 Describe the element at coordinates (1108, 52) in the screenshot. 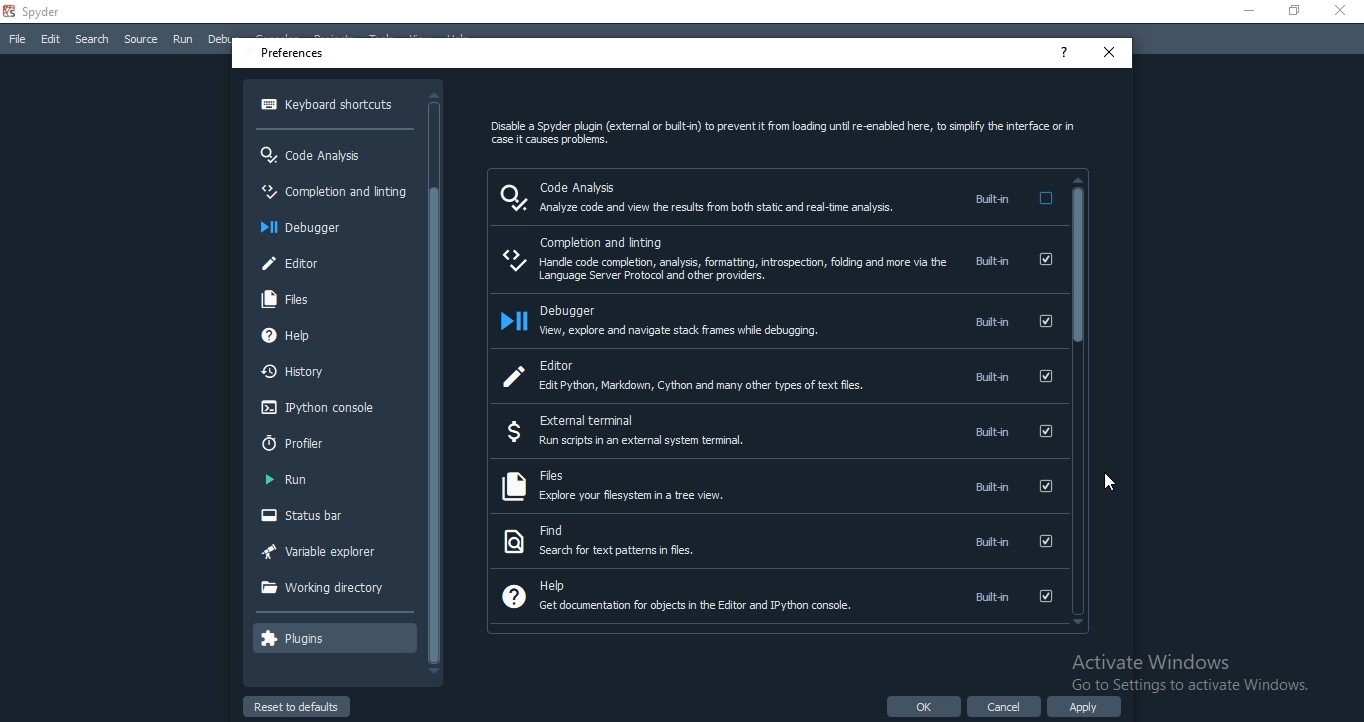

I see `close` at that location.